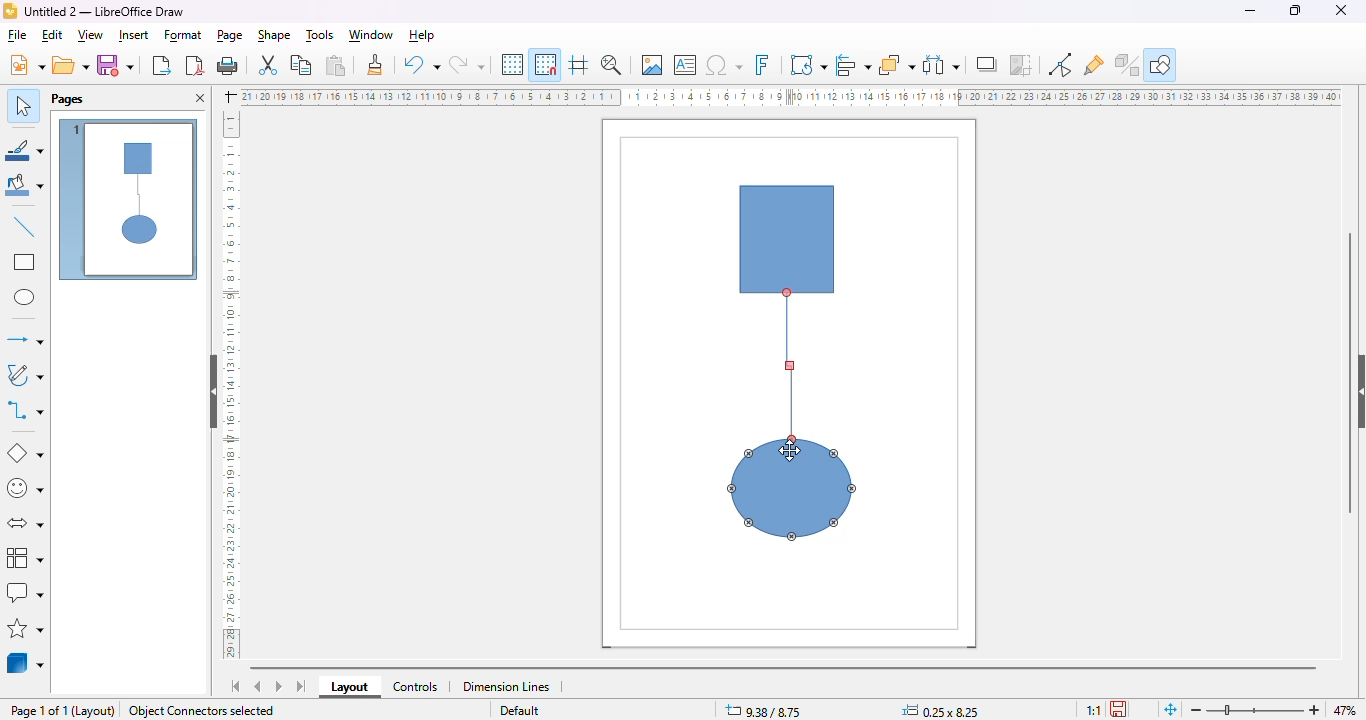 The width and height of the screenshot is (1366, 720). What do you see at coordinates (1059, 65) in the screenshot?
I see `show gluepoint functions` at bounding box center [1059, 65].